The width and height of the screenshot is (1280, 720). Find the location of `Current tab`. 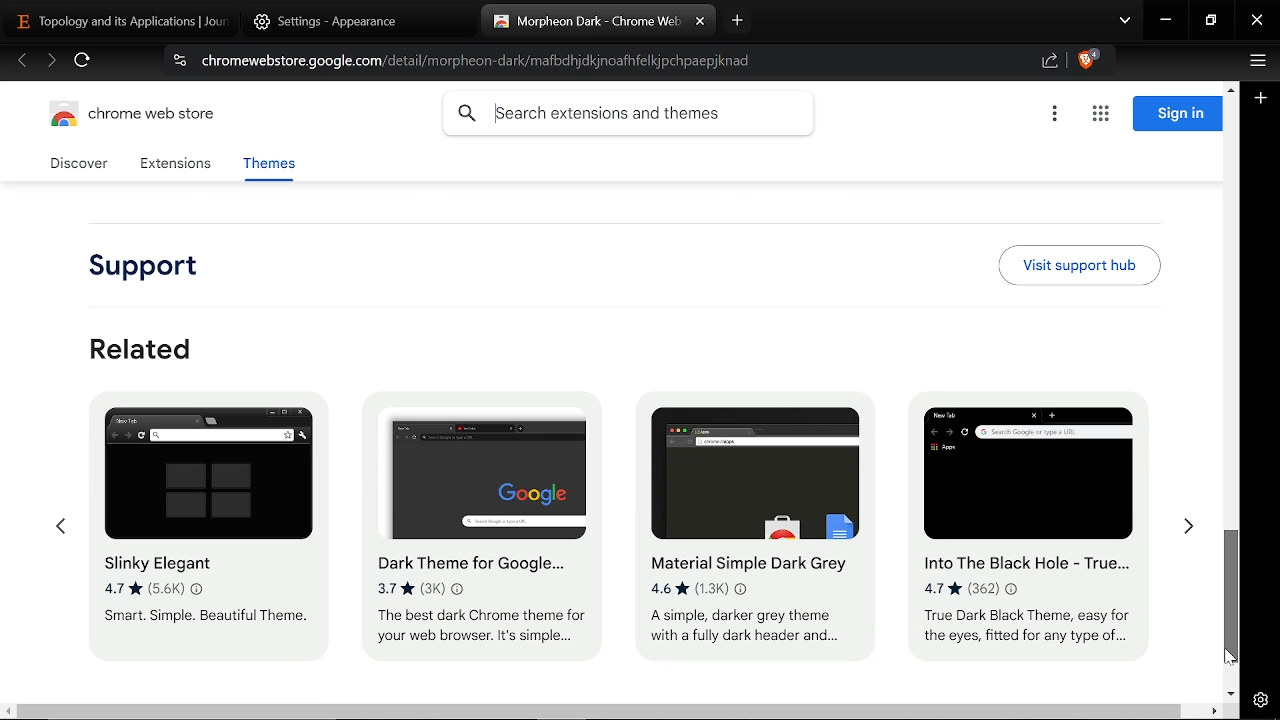

Current tab is located at coordinates (122, 22).